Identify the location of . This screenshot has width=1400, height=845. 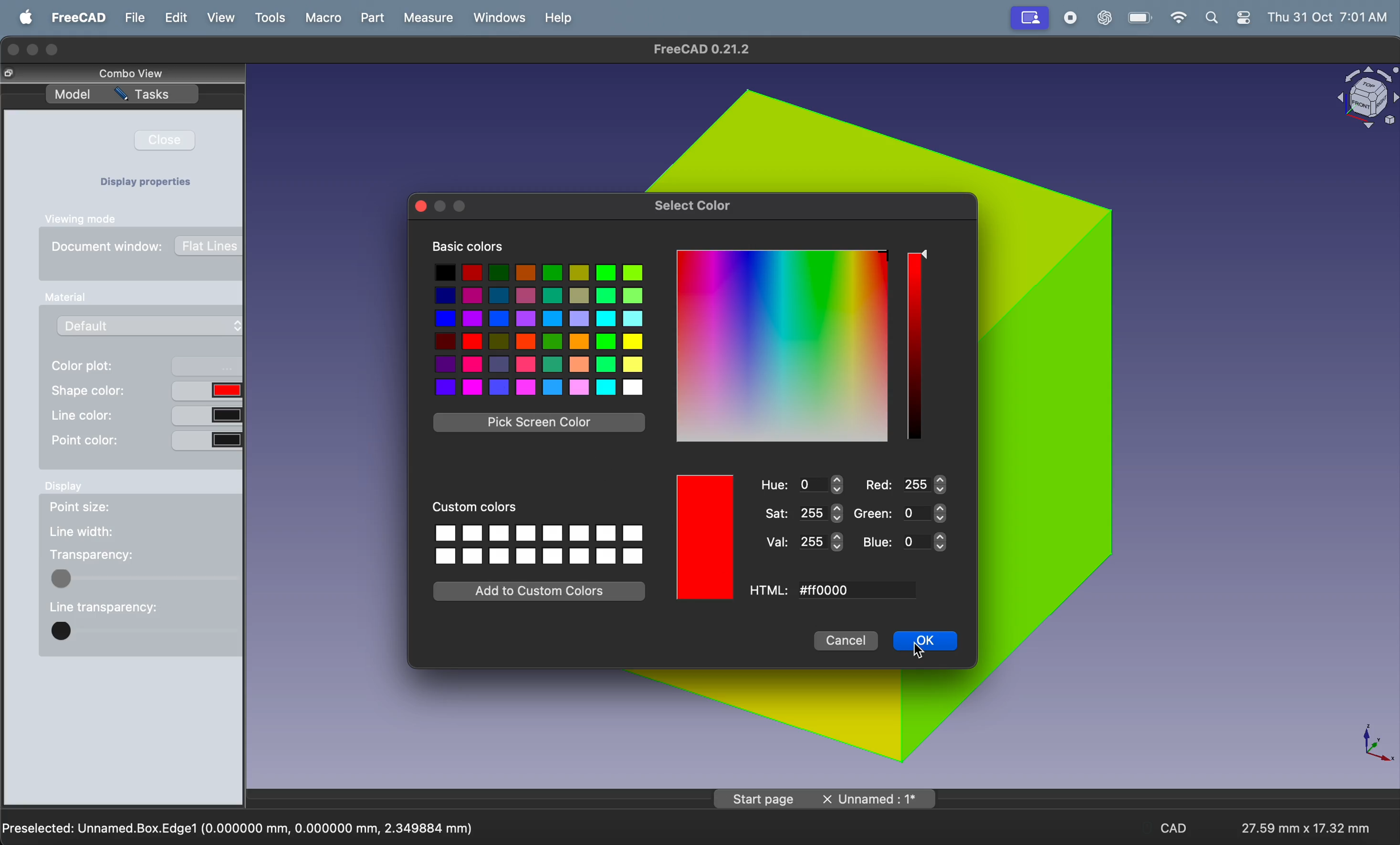
(63, 298).